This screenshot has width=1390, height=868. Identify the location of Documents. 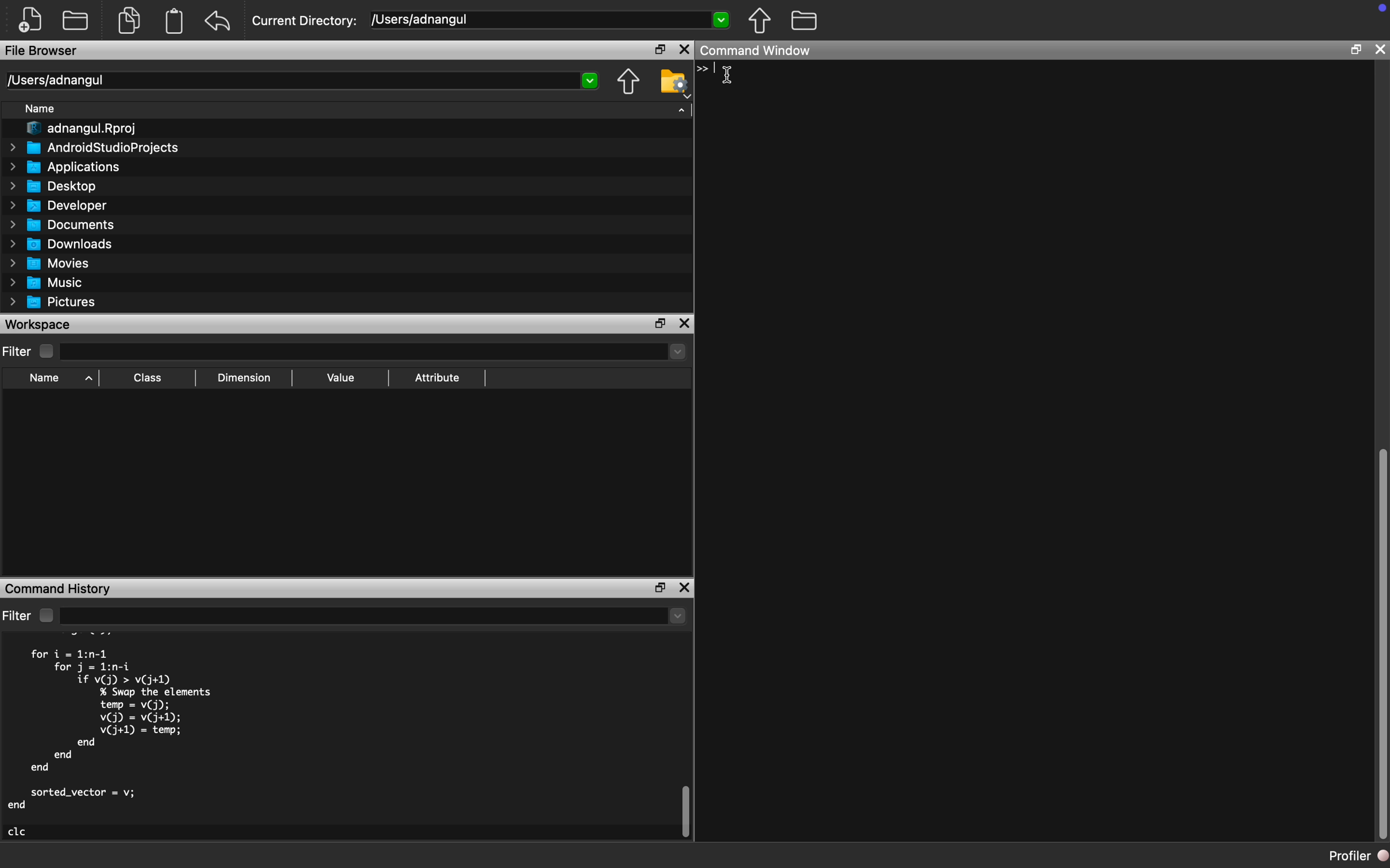
(63, 226).